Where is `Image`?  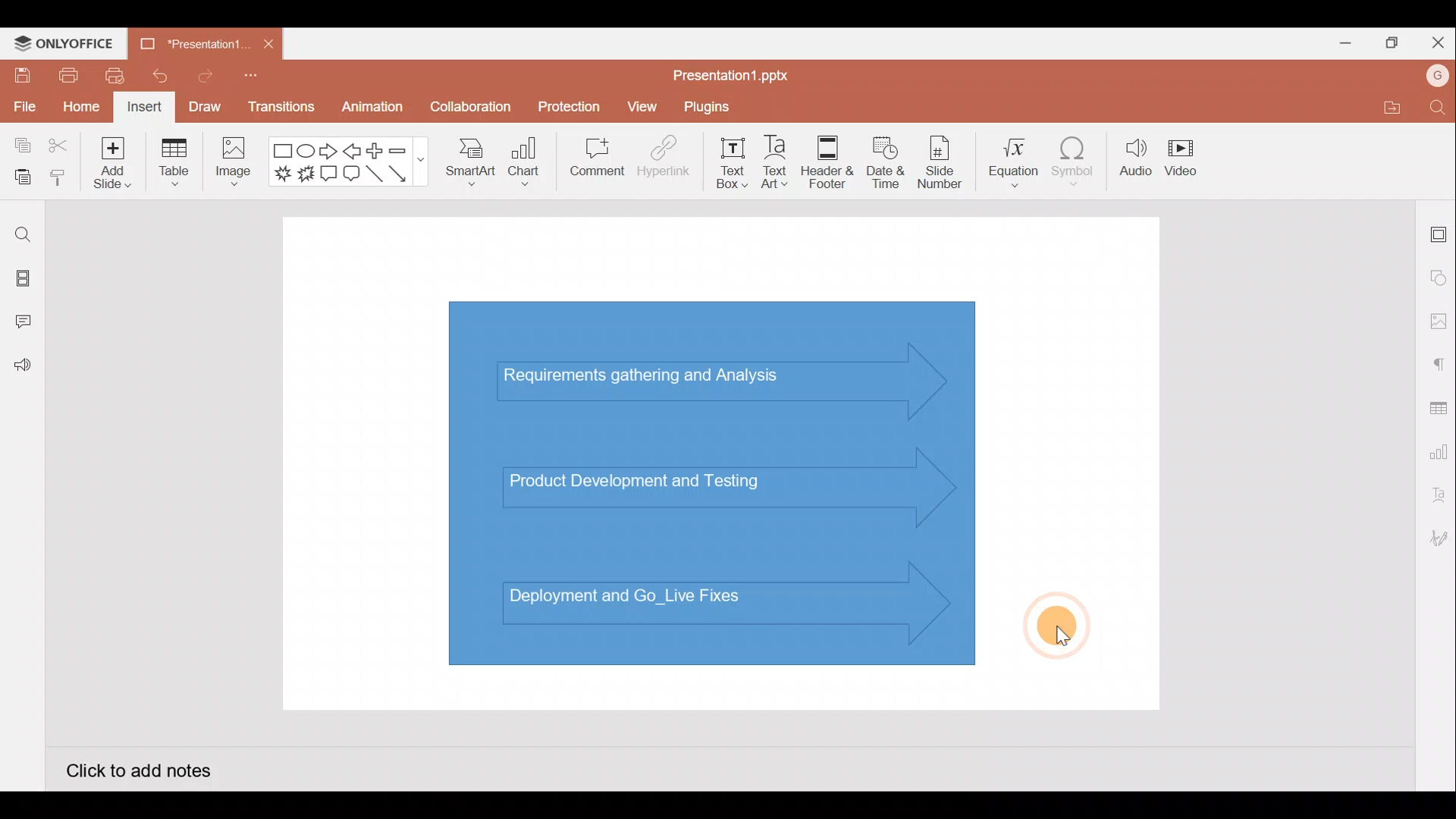
Image is located at coordinates (231, 165).